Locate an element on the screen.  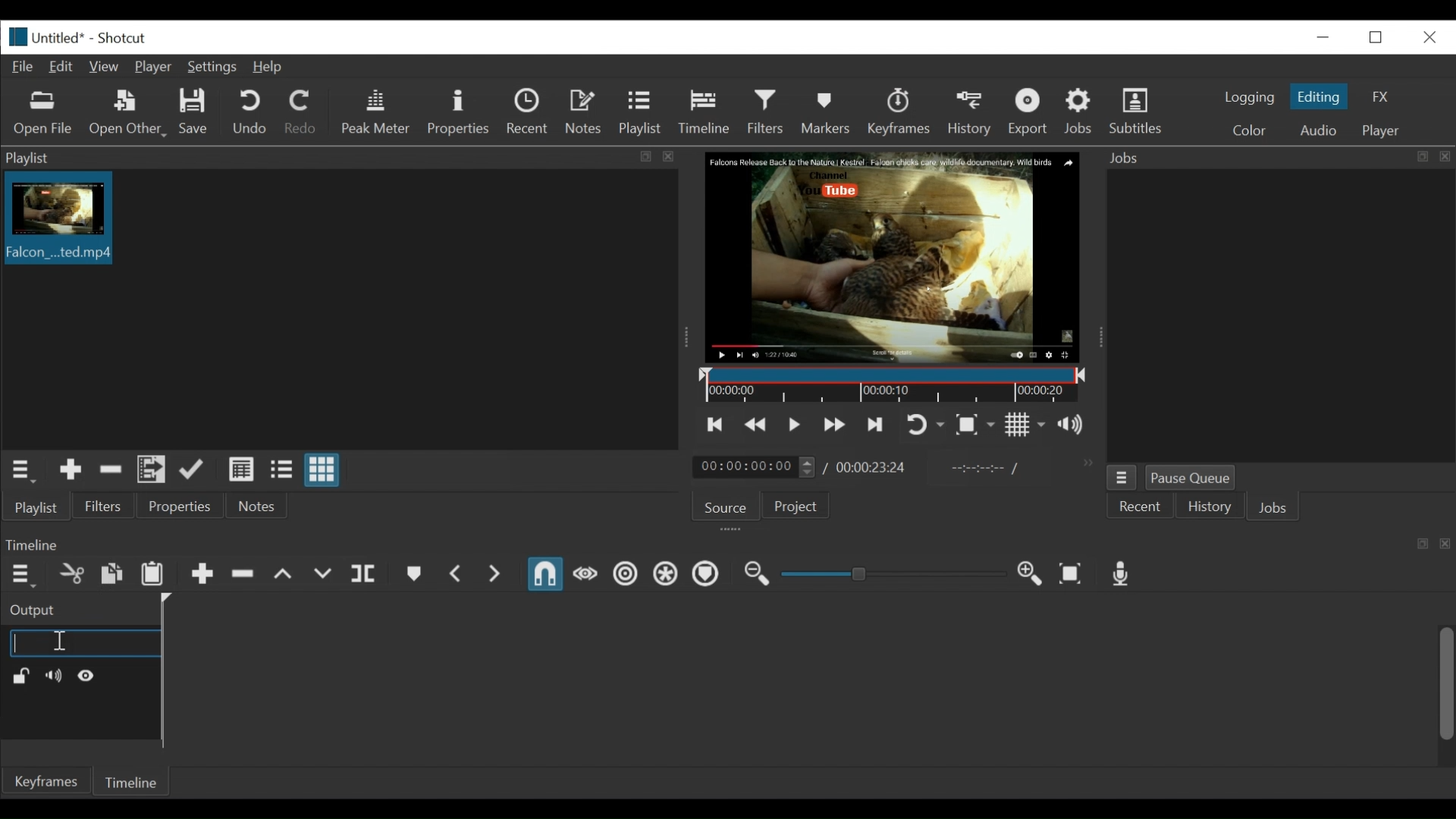
Update is located at coordinates (195, 470).